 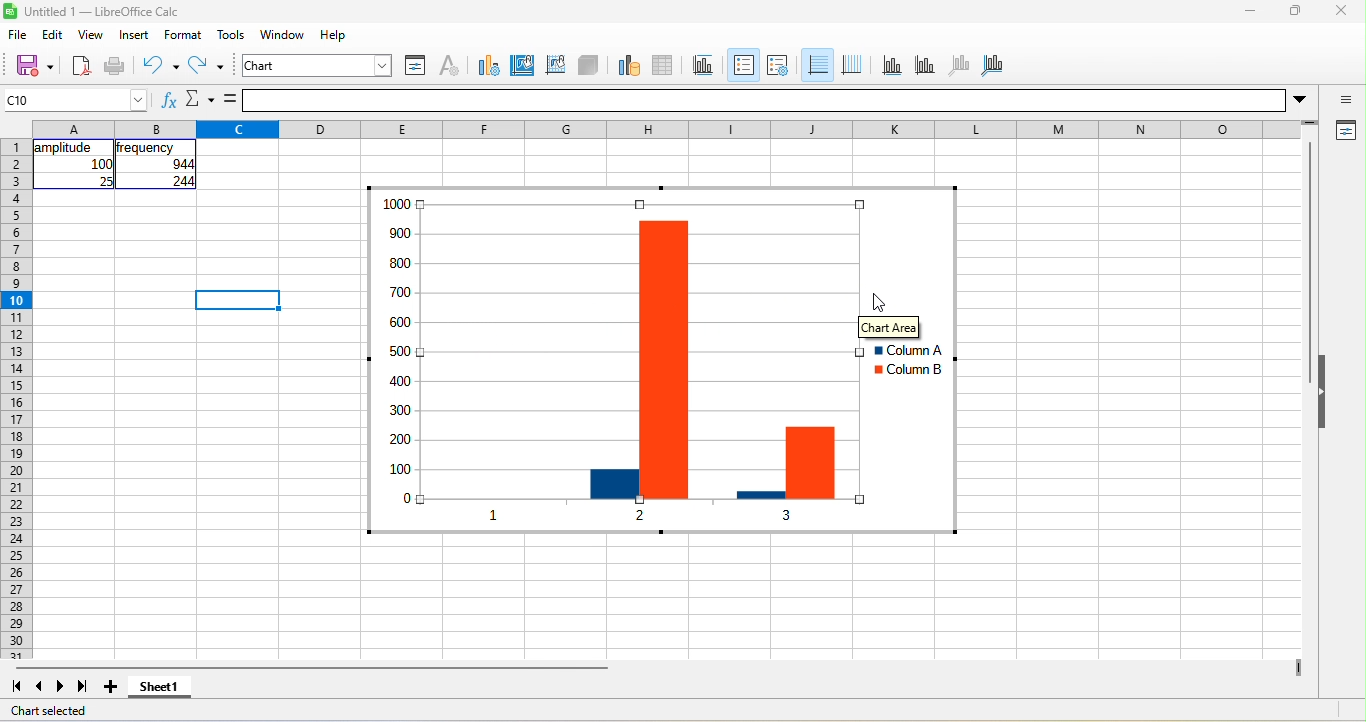 I want to click on chart area, so click(x=523, y=63).